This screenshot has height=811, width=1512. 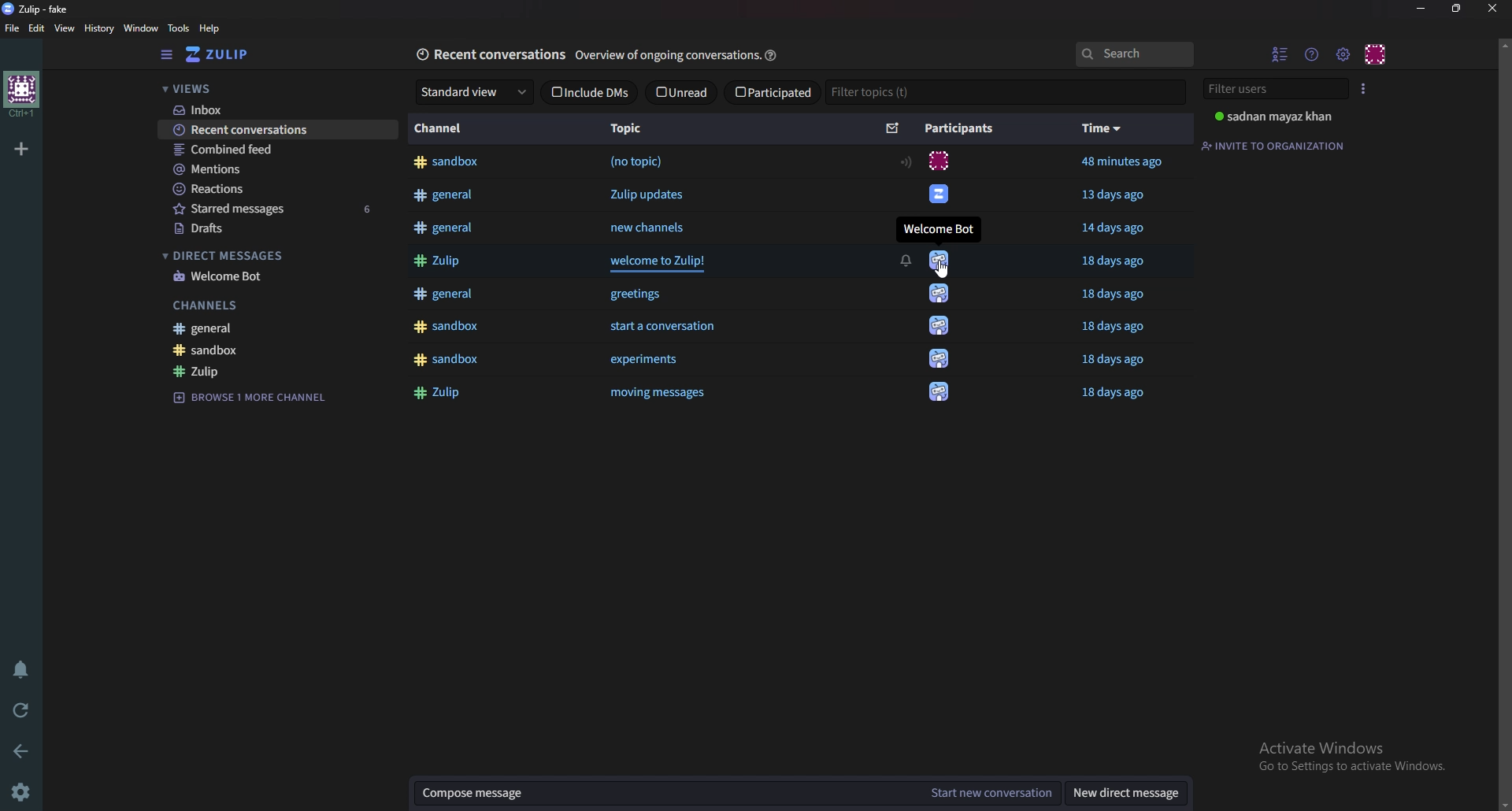 What do you see at coordinates (665, 56) in the screenshot?
I see `Info` at bounding box center [665, 56].